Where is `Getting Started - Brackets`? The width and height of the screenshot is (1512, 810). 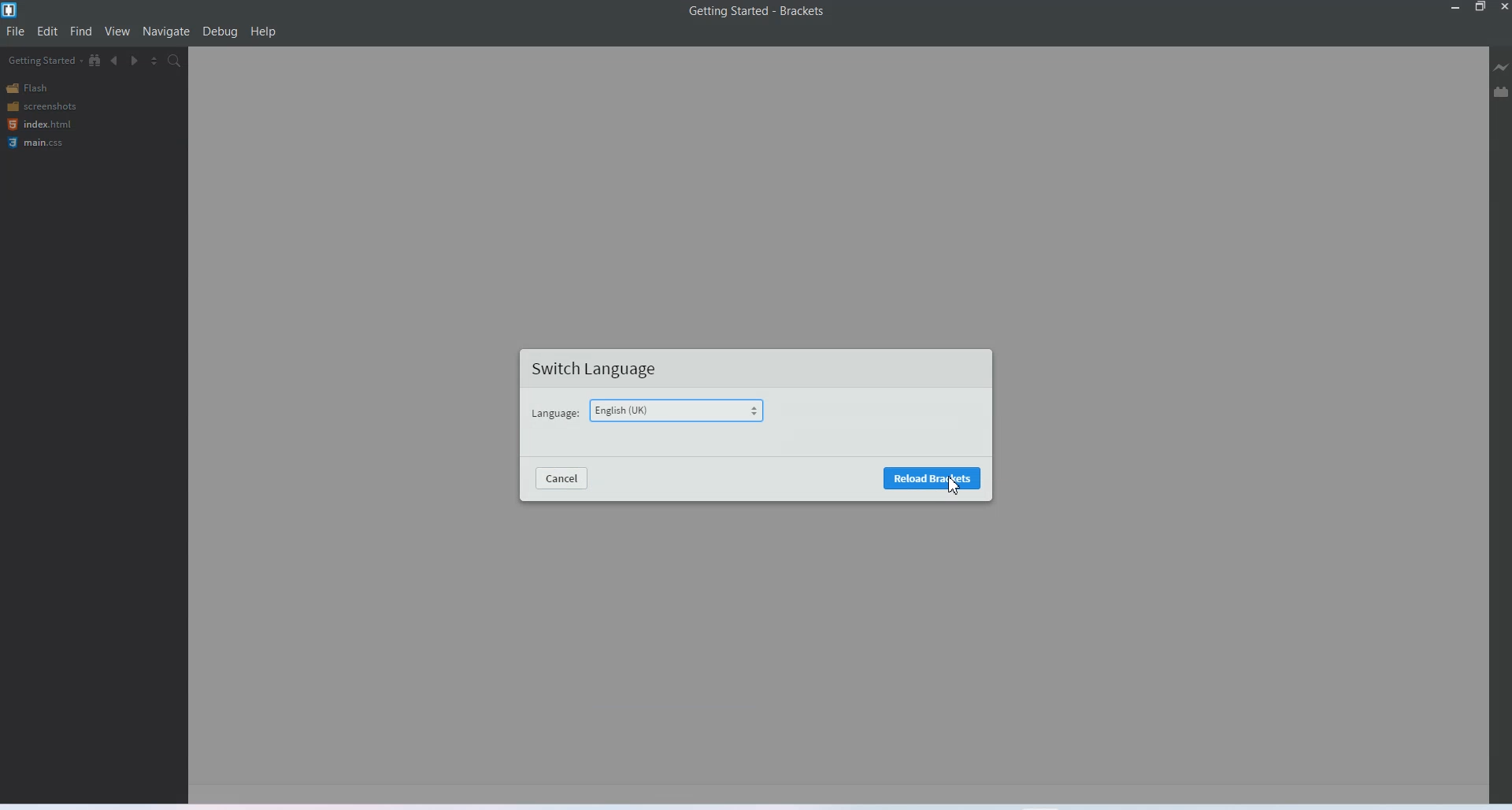
Getting Started - Brackets is located at coordinates (756, 12).